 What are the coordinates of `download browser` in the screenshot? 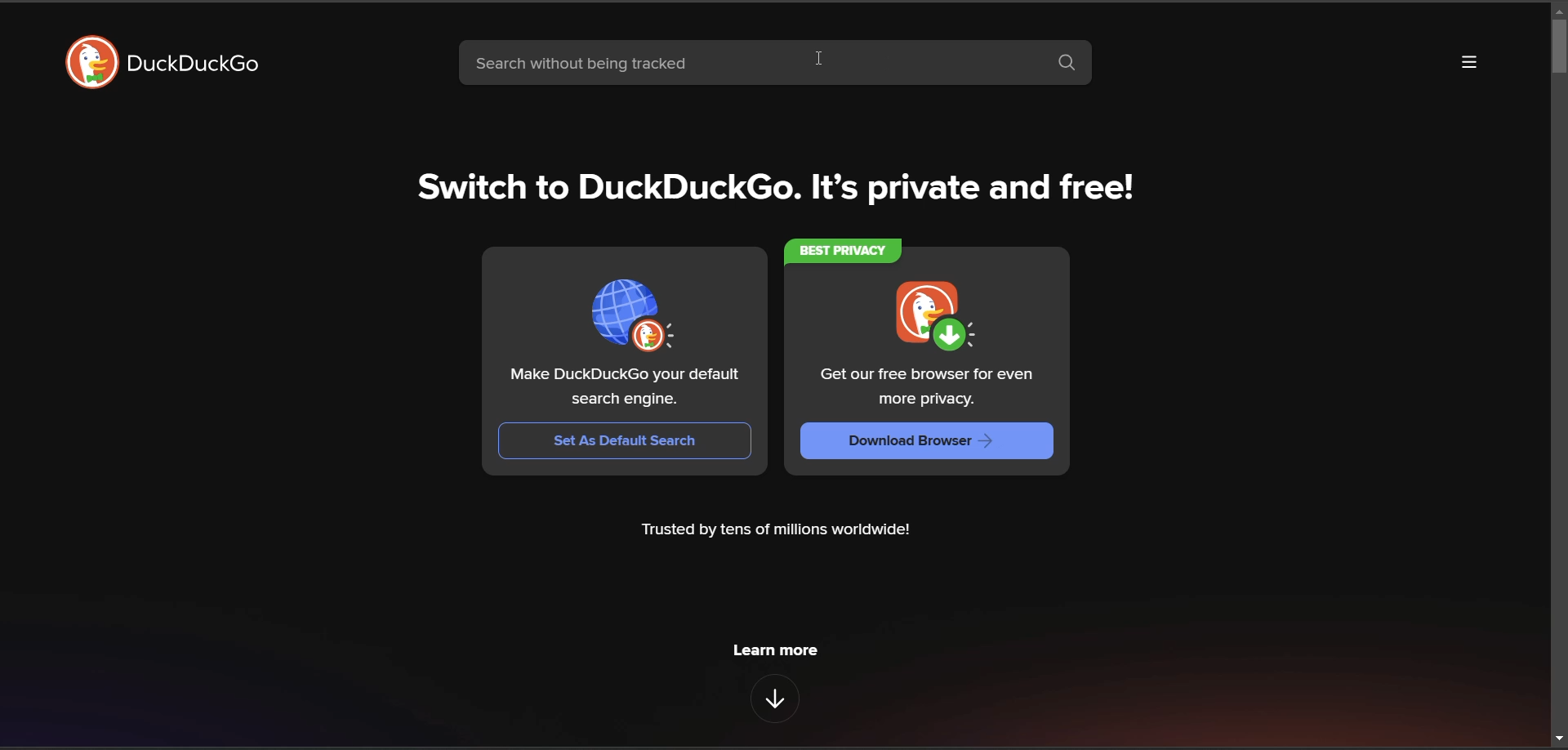 It's located at (924, 441).